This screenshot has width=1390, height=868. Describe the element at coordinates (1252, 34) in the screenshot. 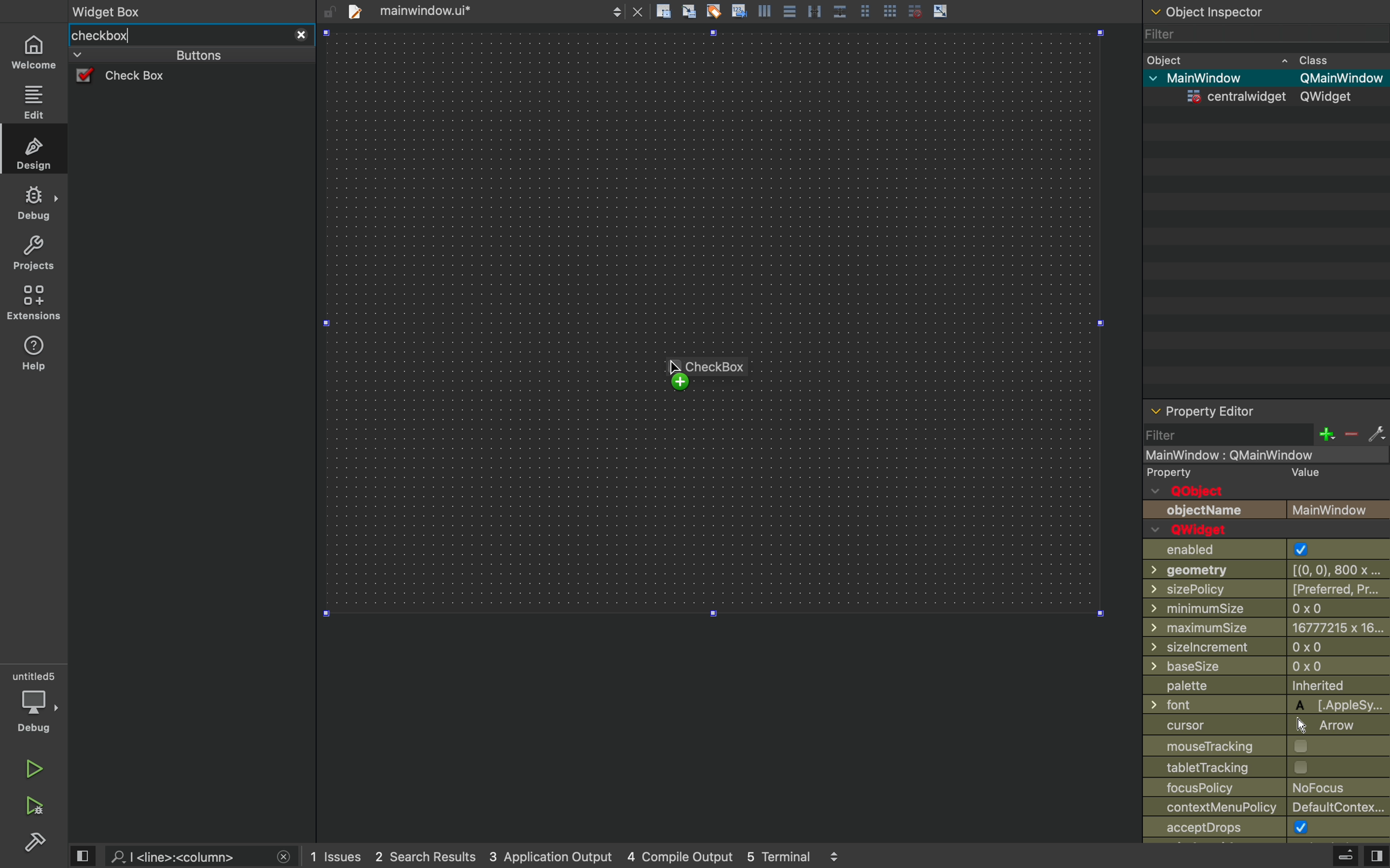

I see `filter` at that location.